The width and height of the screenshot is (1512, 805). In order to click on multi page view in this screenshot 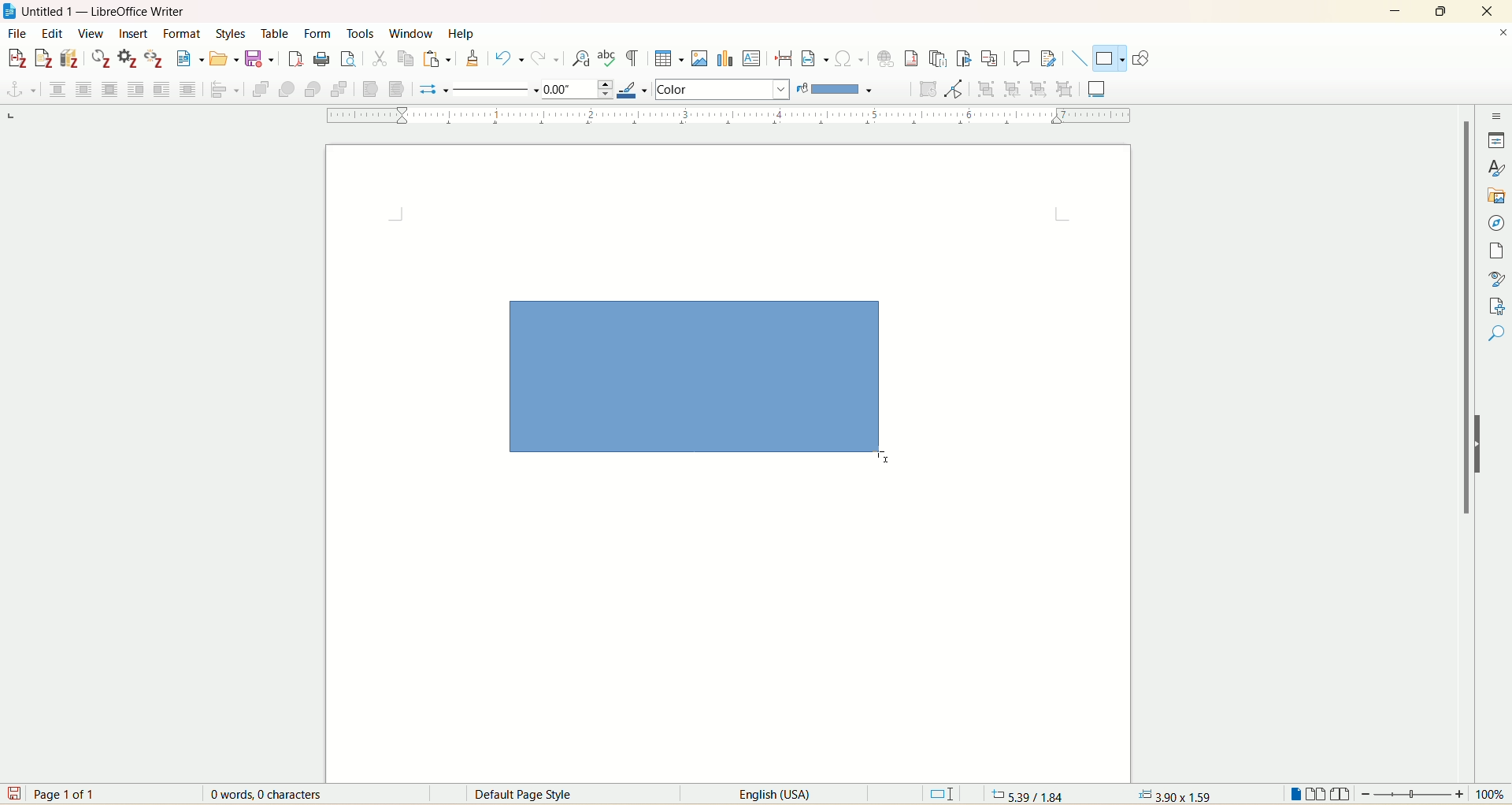, I will do `click(1317, 793)`.